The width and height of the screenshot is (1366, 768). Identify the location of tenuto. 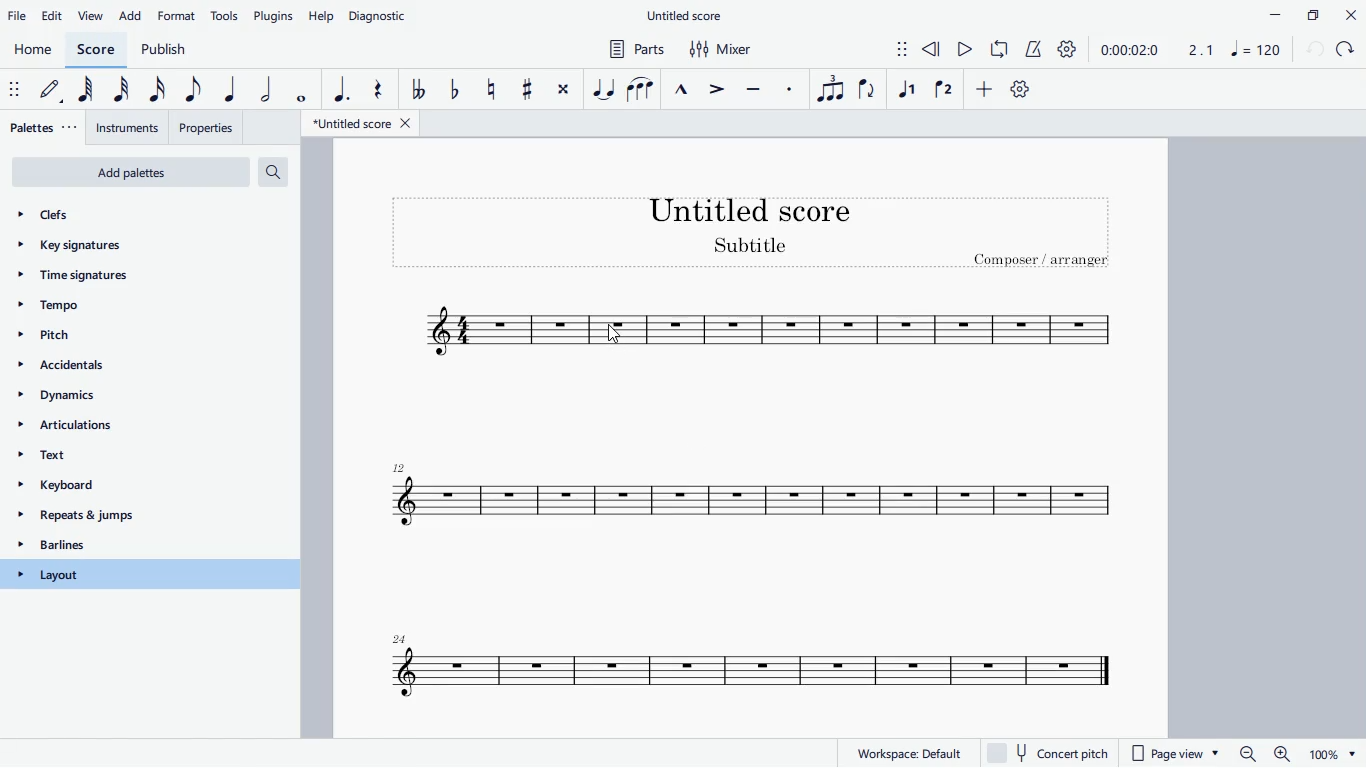
(756, 87).